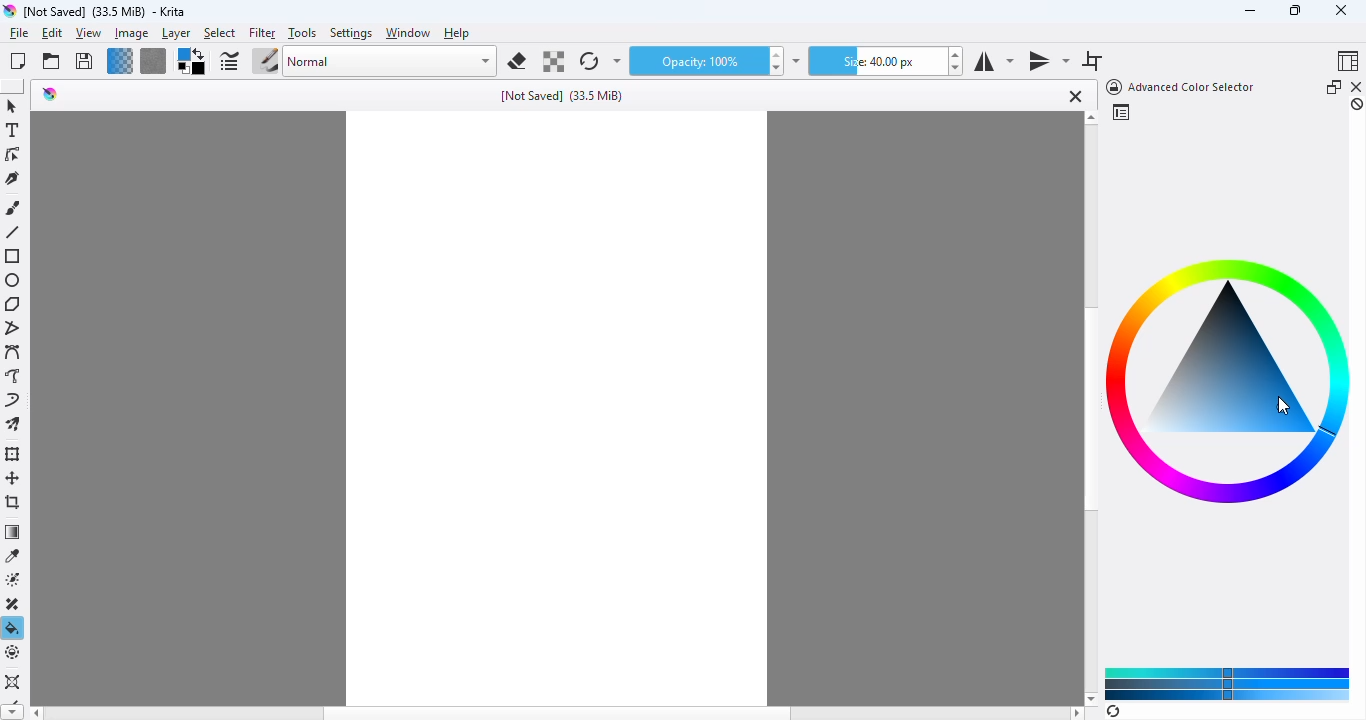 This screenshot has width=1366, height=720. What do you see at coordinates (176, 34) in the screenshot?
I see `layer` at bounding box center [176, 34].